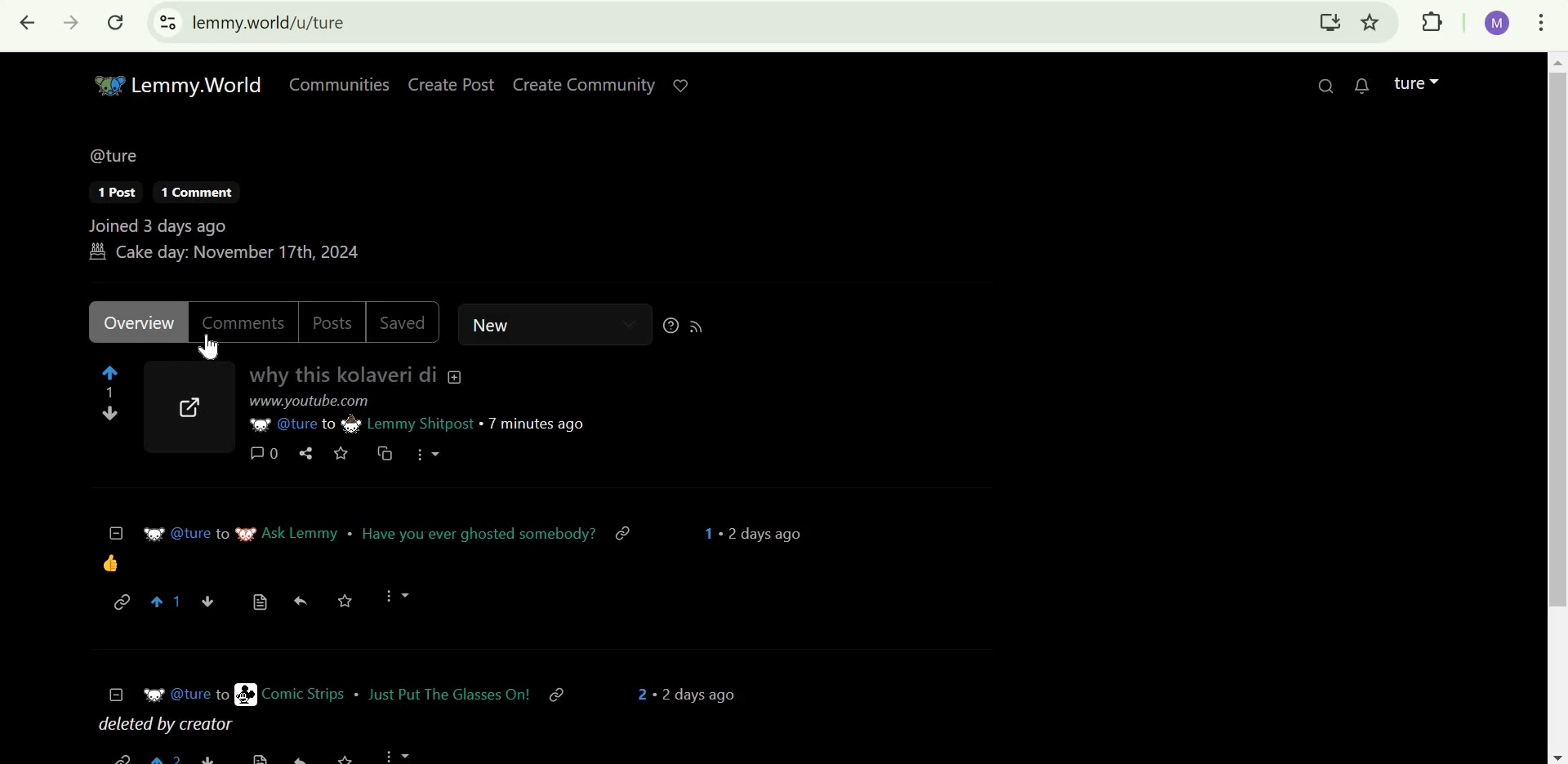 The image size is (1568, 764). What do you see at coordinates (283, 426) in the screenshot?
I see `user id` at bounding box center [283, 426].